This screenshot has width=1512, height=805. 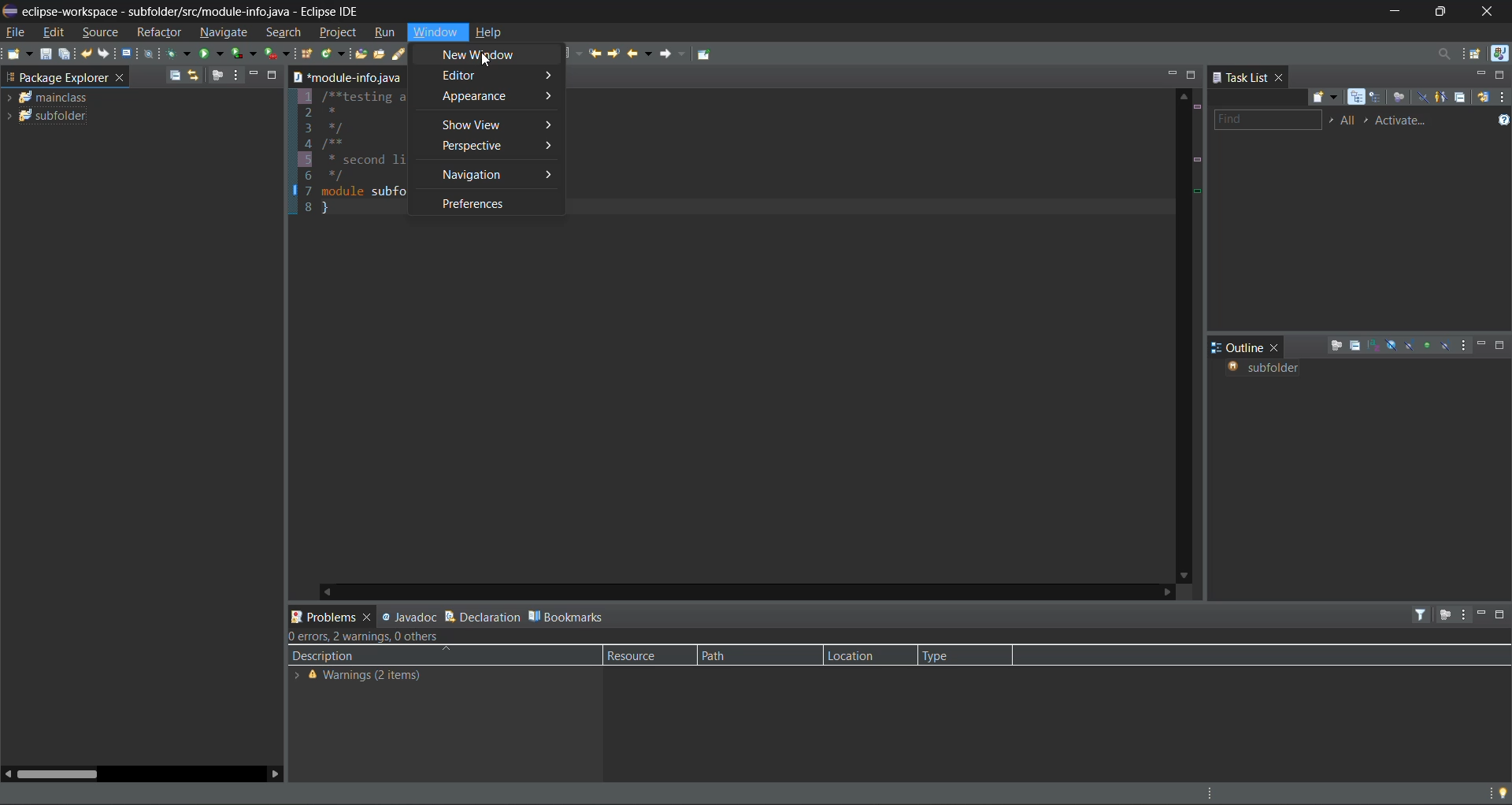 I want to click on package explorer, so click(x=56, y=77).